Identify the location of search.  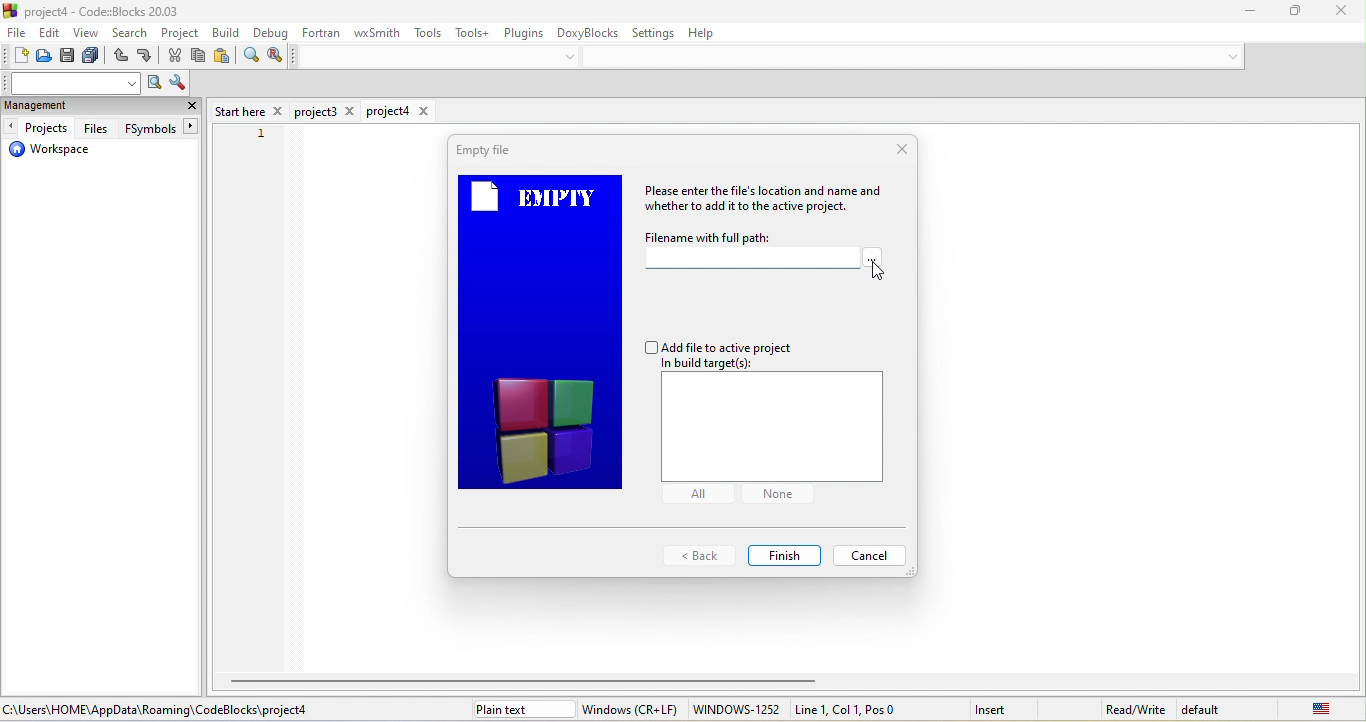
(132, 35).